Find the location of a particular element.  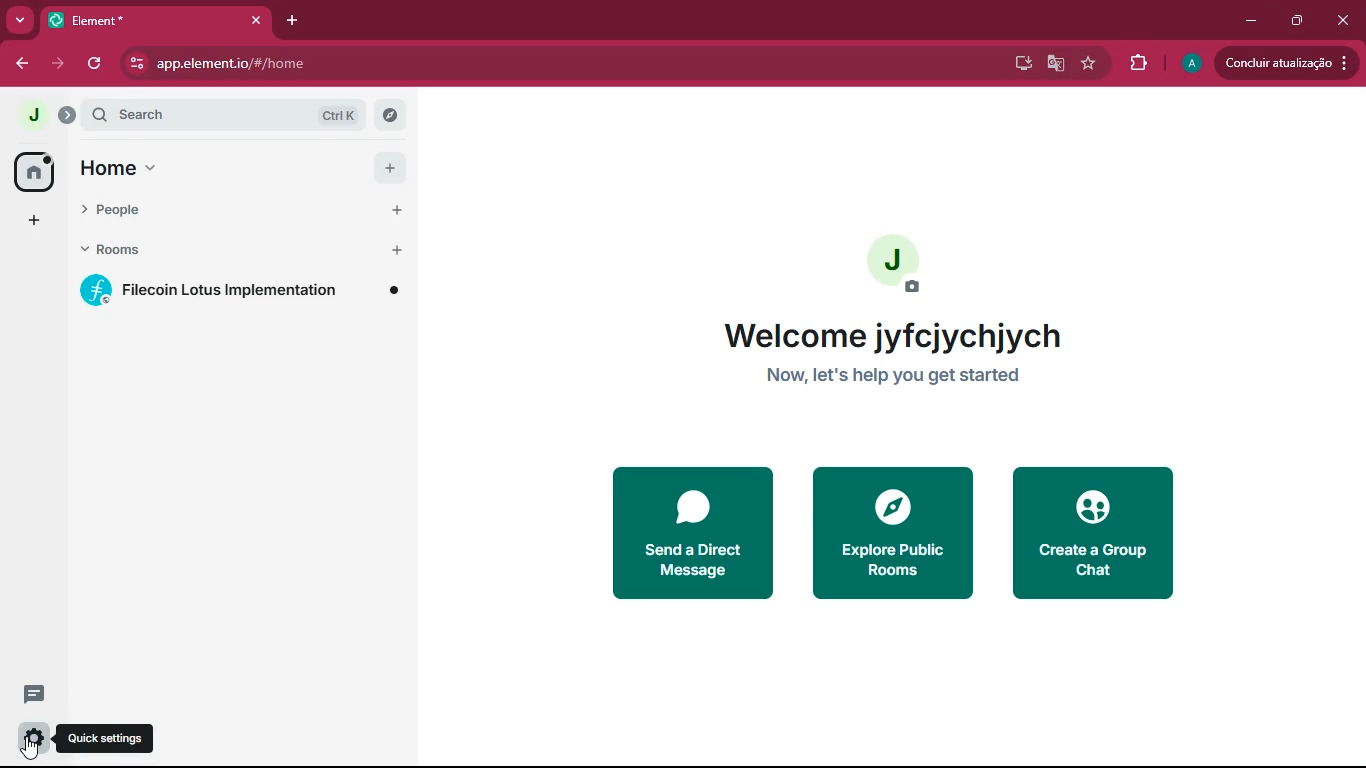

welcome jyfcjychjych is located at coordinates (898, 340).